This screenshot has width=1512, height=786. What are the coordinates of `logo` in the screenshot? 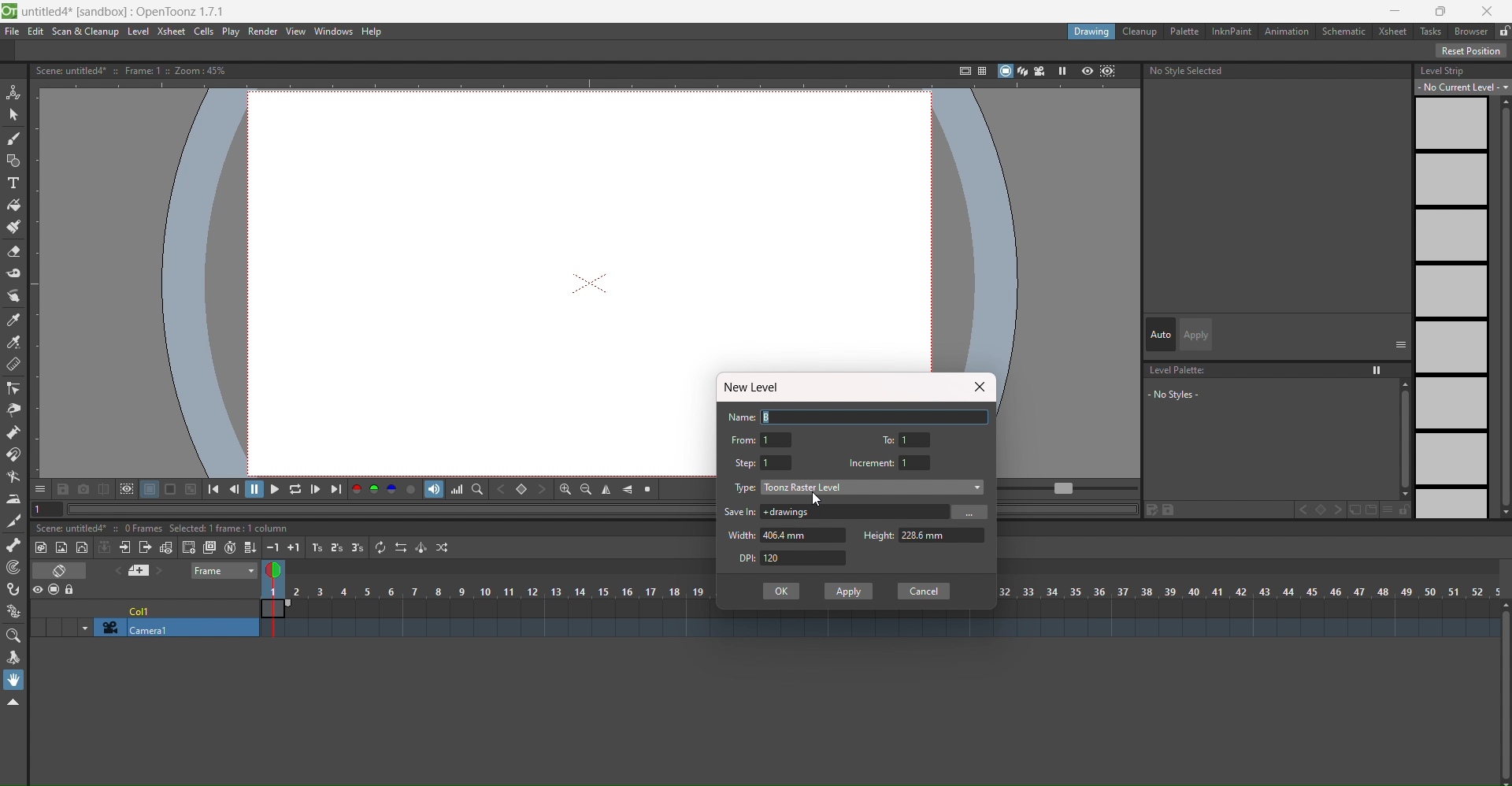 It's located at (9, 12).